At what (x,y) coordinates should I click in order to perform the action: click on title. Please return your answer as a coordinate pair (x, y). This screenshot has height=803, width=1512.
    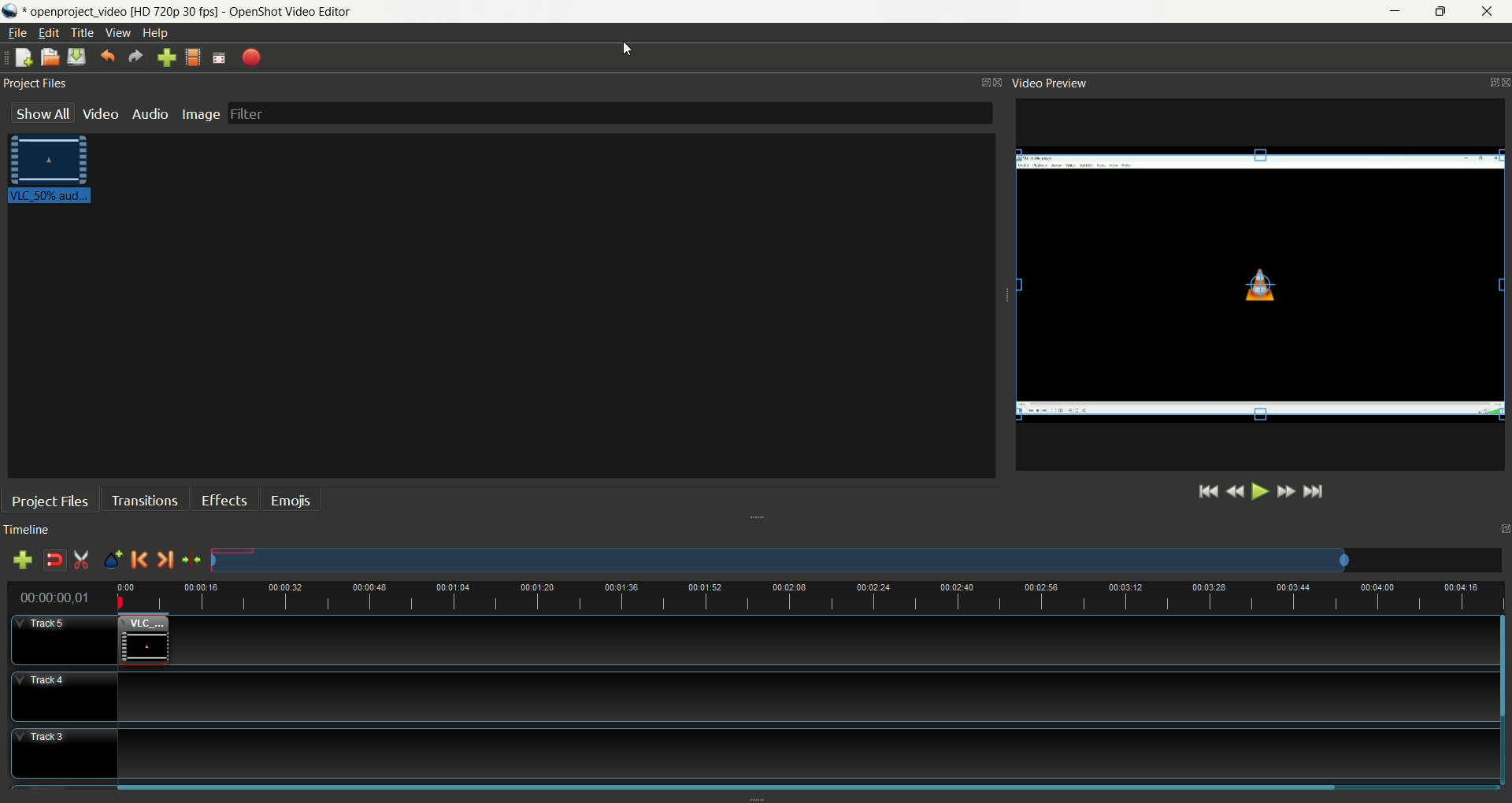
    Looking at the image, I should click on (83, 33).